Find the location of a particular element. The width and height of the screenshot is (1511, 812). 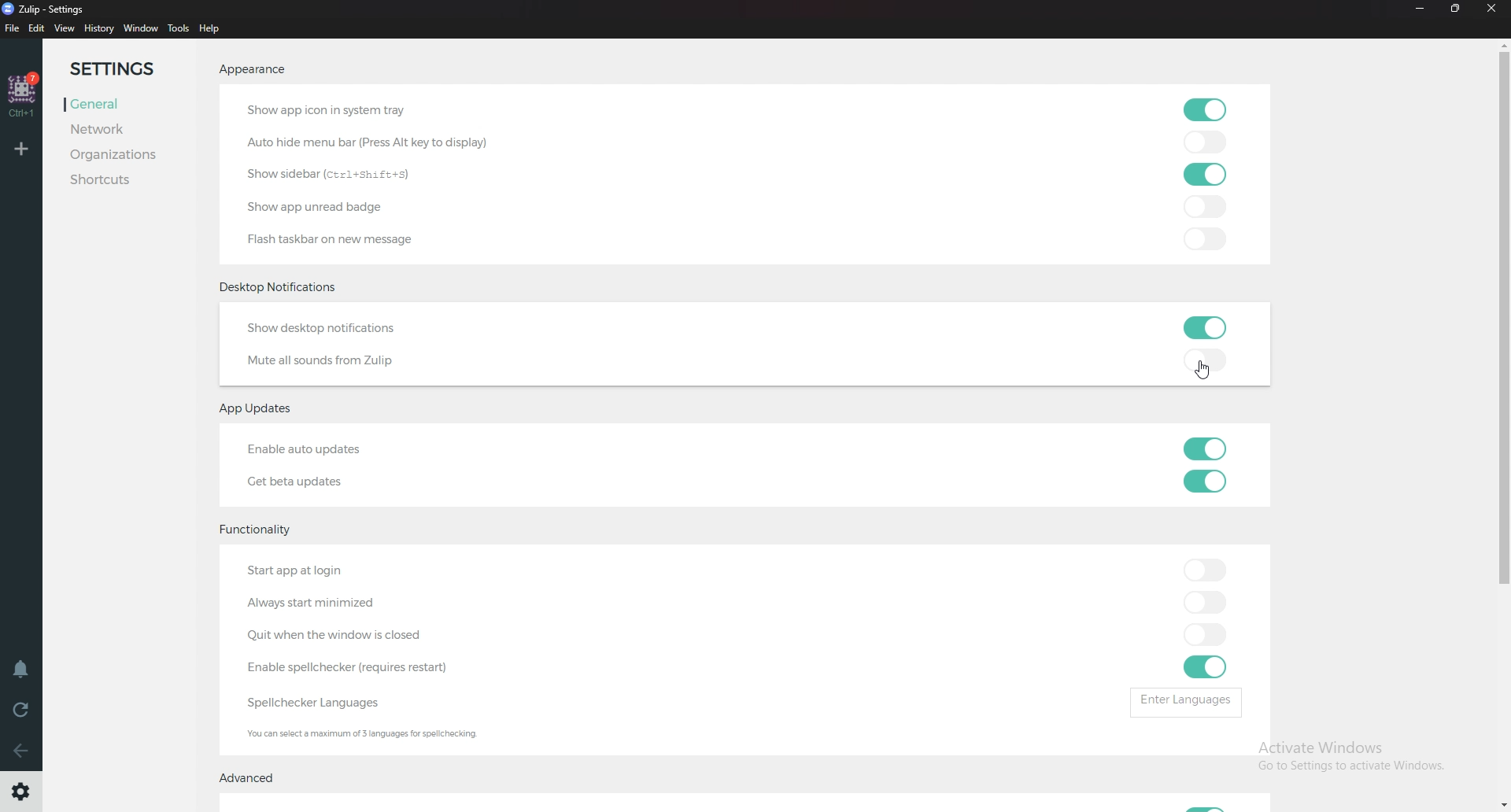

Scroll bar is located at coordinates (1503, 424).